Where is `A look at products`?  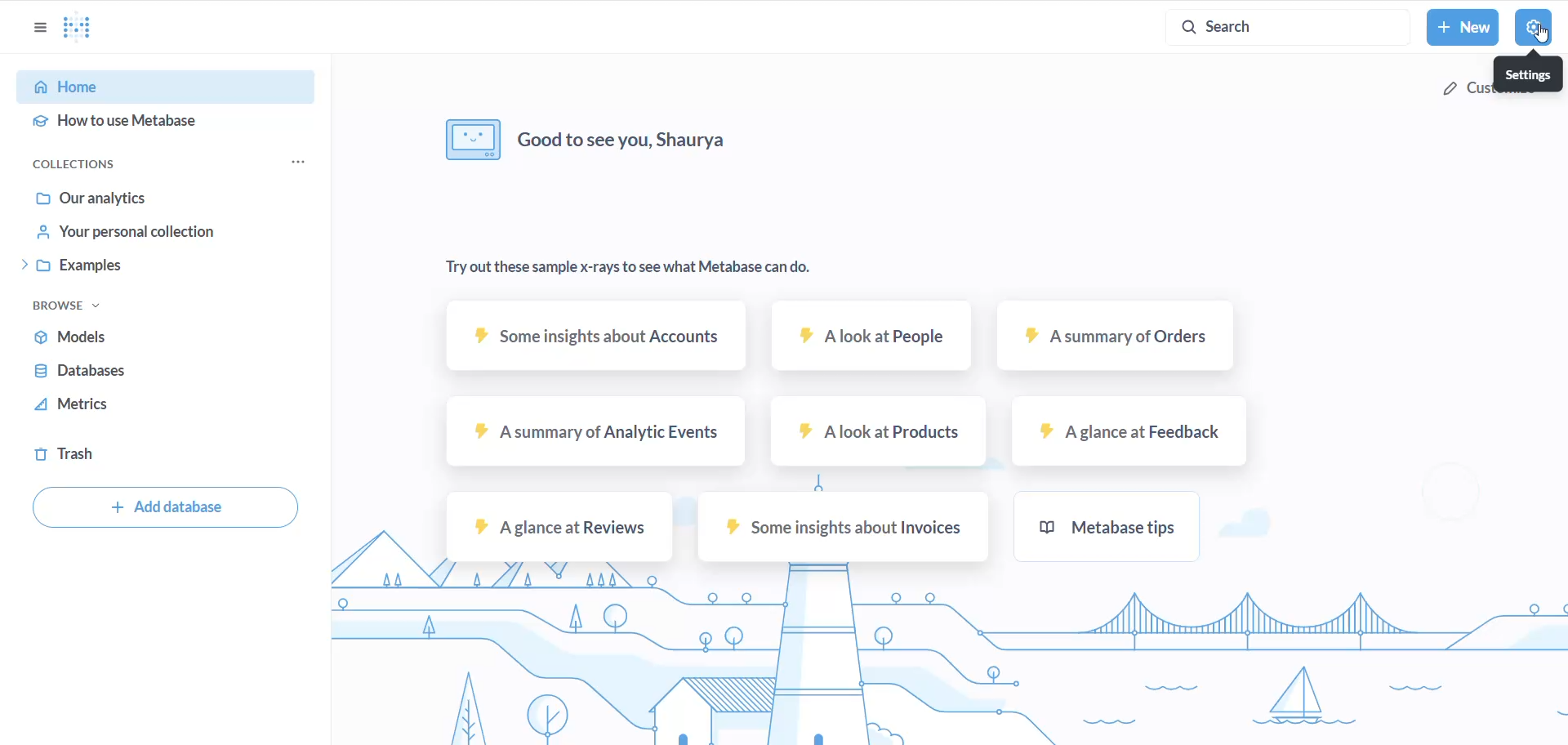
A look at products is located at coordinates (879, 432).